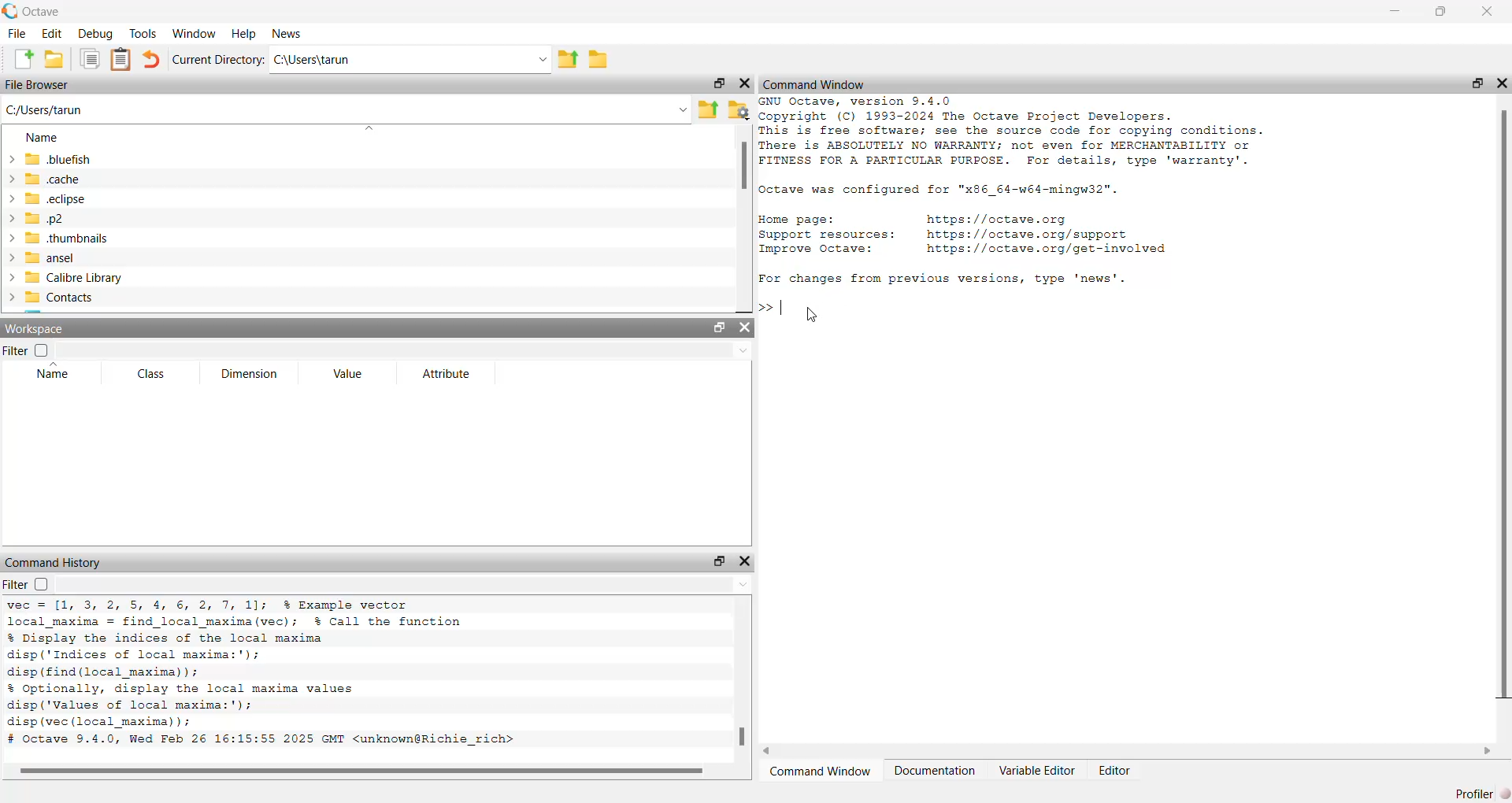 This screenshot has height=803, width=1512. What do you see at coordinates (248, 374) in the screenshot?
I see `Dimension` at bounding box center [248, 374].